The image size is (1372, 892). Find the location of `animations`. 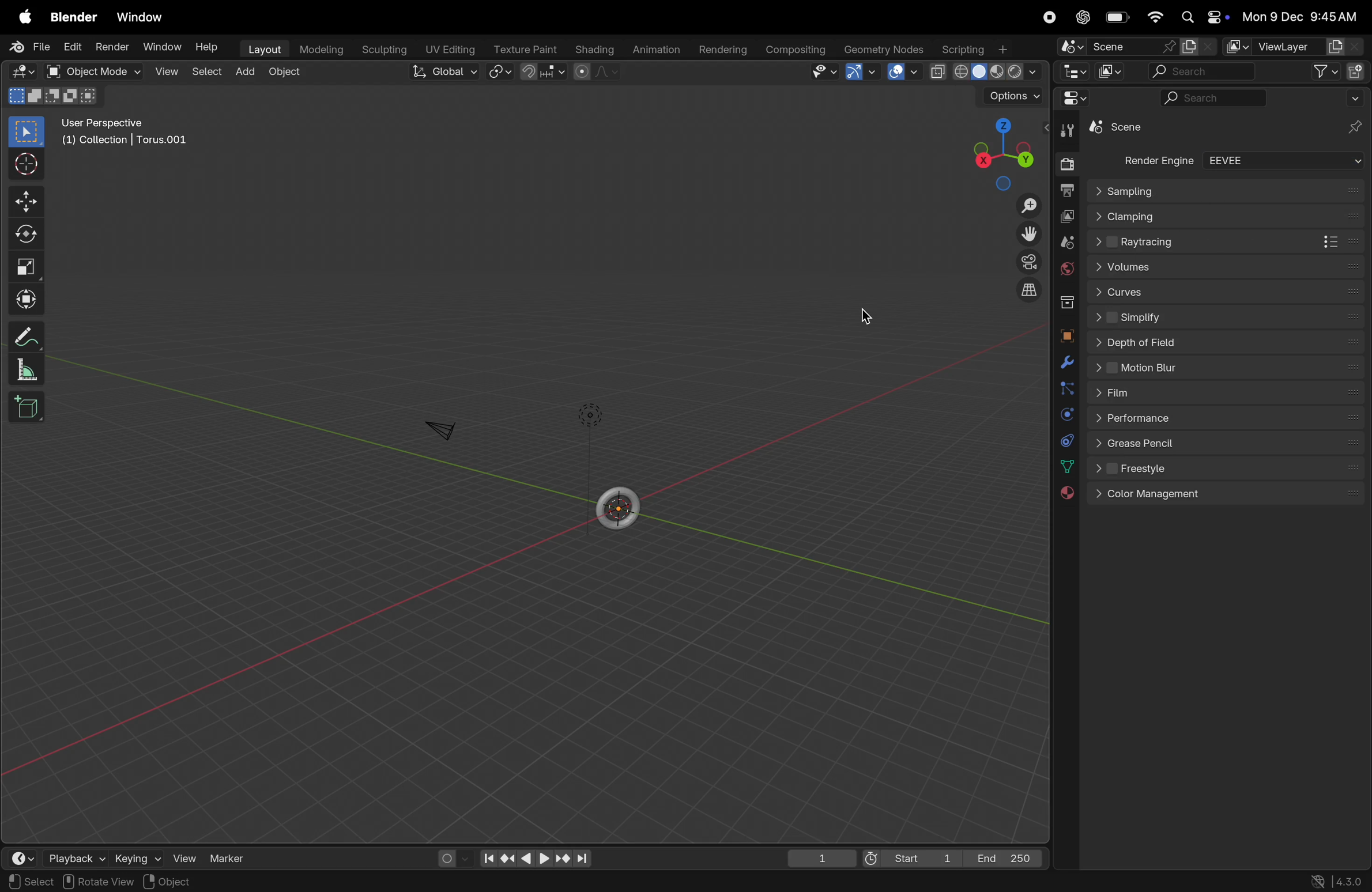

animations is located at coordinates (658, 47).